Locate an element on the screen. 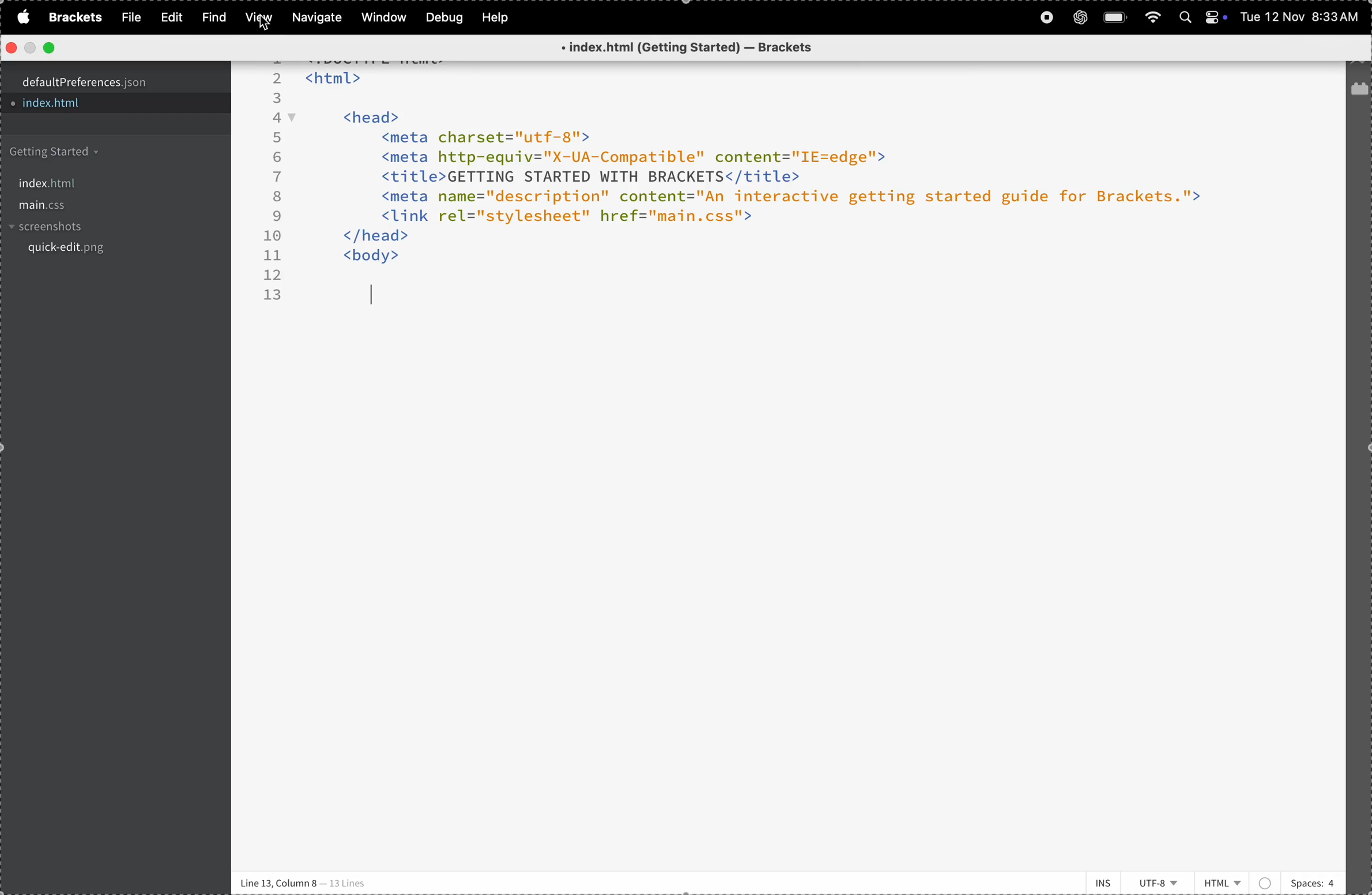 This screenshot has height=895, width=1372. help is located at coordinates (499, 17).